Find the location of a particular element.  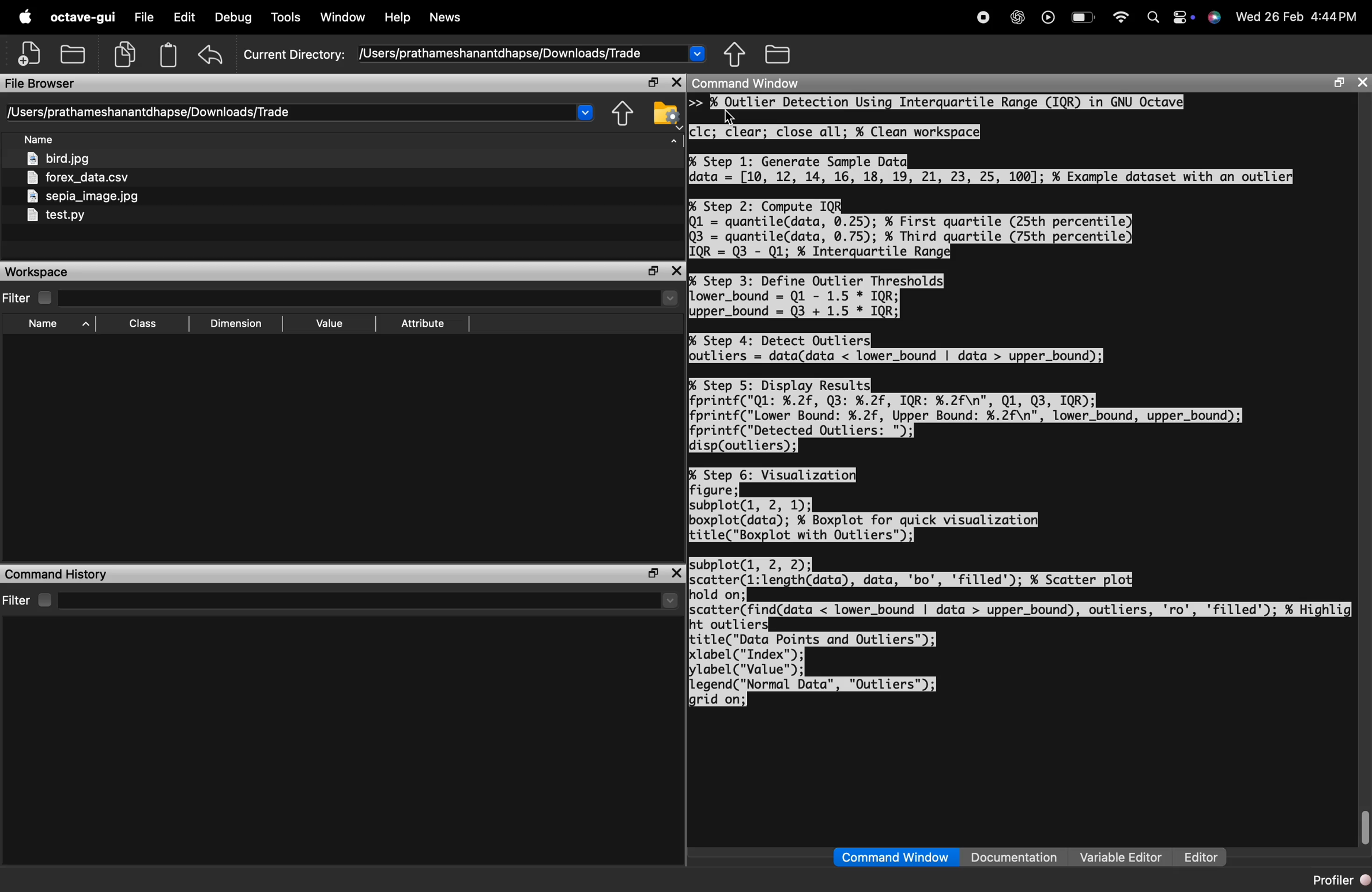

Help is located at coordinates (397, 14).